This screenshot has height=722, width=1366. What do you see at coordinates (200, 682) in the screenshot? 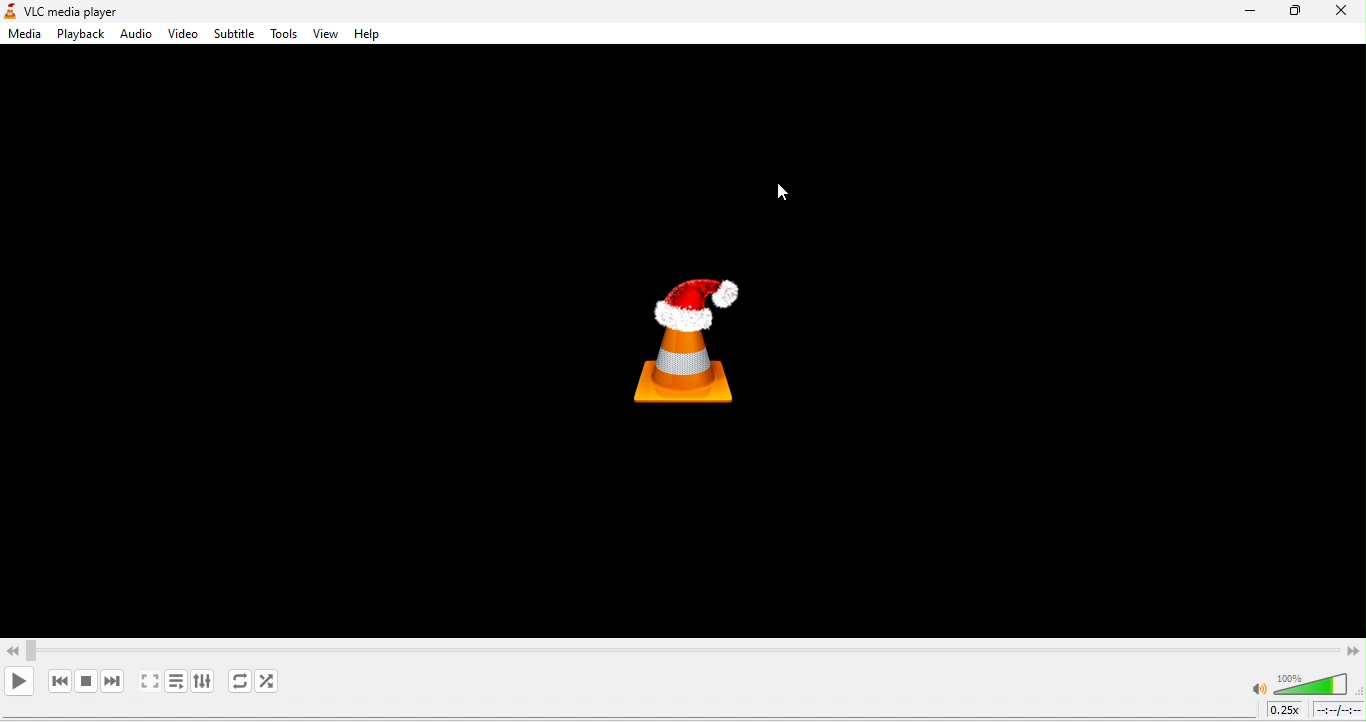
I see `show extended settings` at bounding box center [200, 682].